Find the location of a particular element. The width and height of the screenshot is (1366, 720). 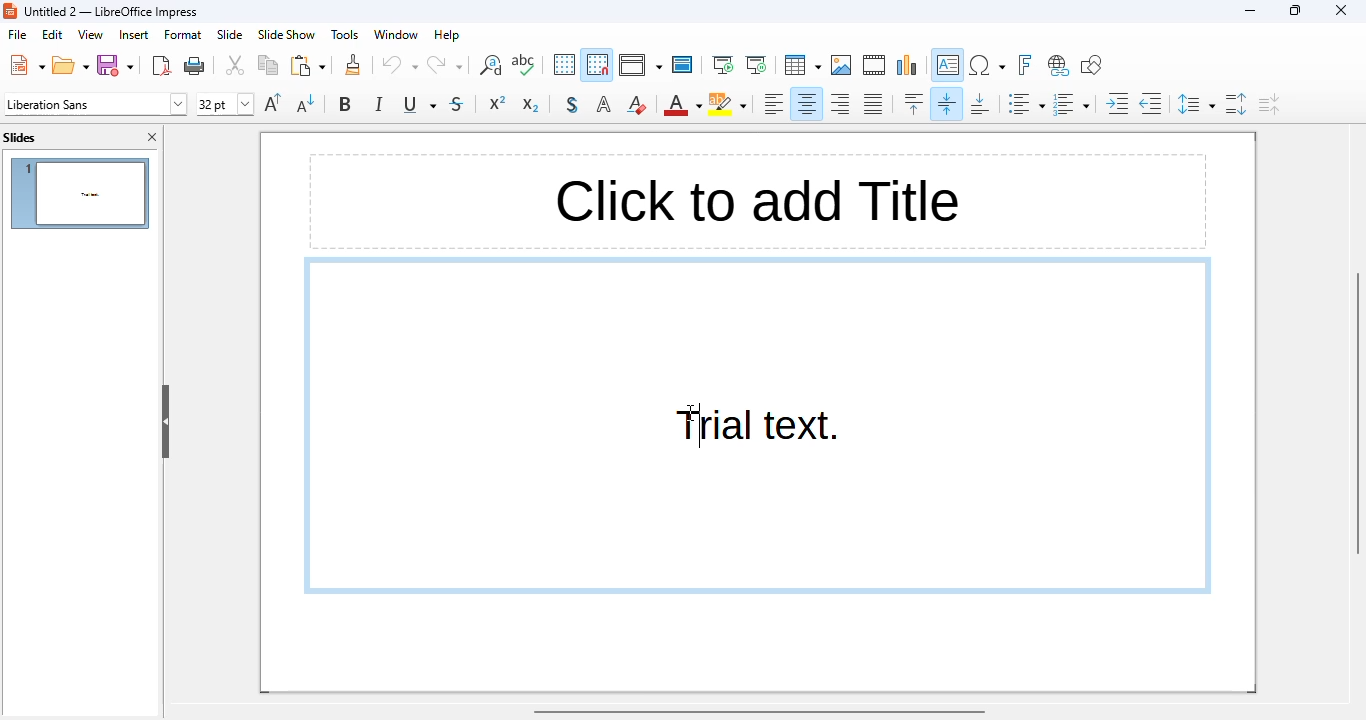

slides is located at coordinates (20, 138).